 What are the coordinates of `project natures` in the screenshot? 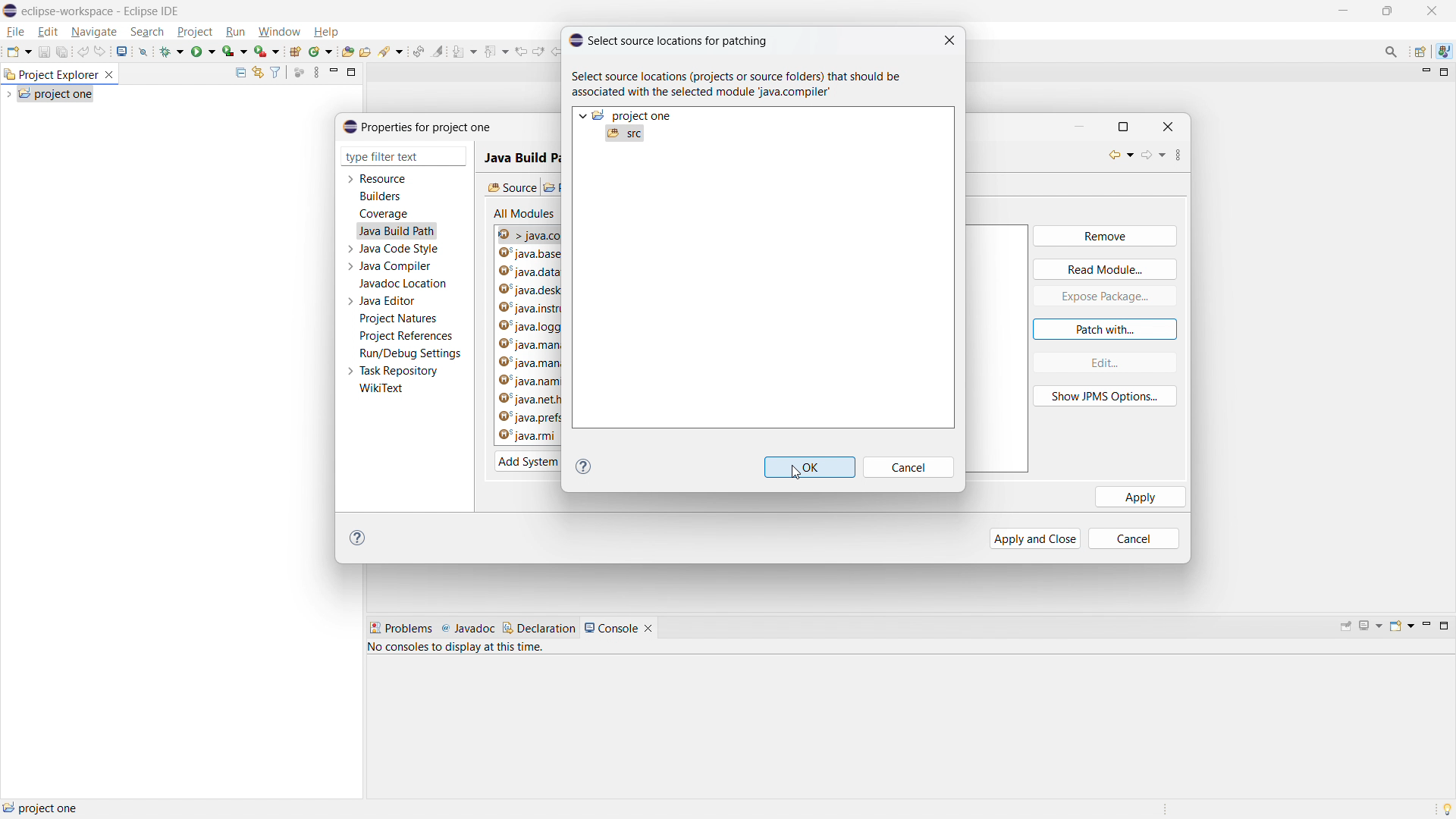 It's located at (399, 318).